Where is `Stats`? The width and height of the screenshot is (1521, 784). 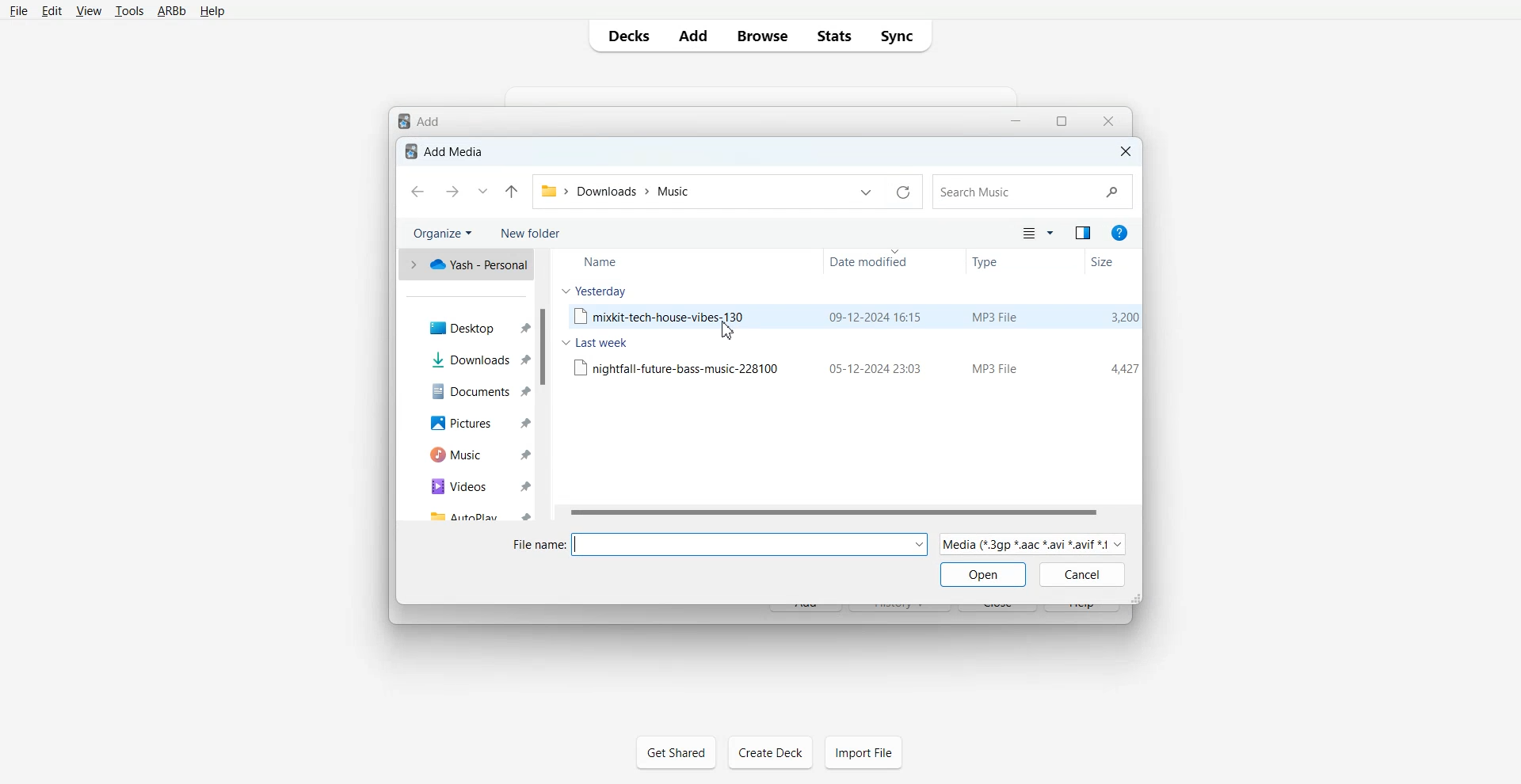 Stats is located at coordinates (833, 36).